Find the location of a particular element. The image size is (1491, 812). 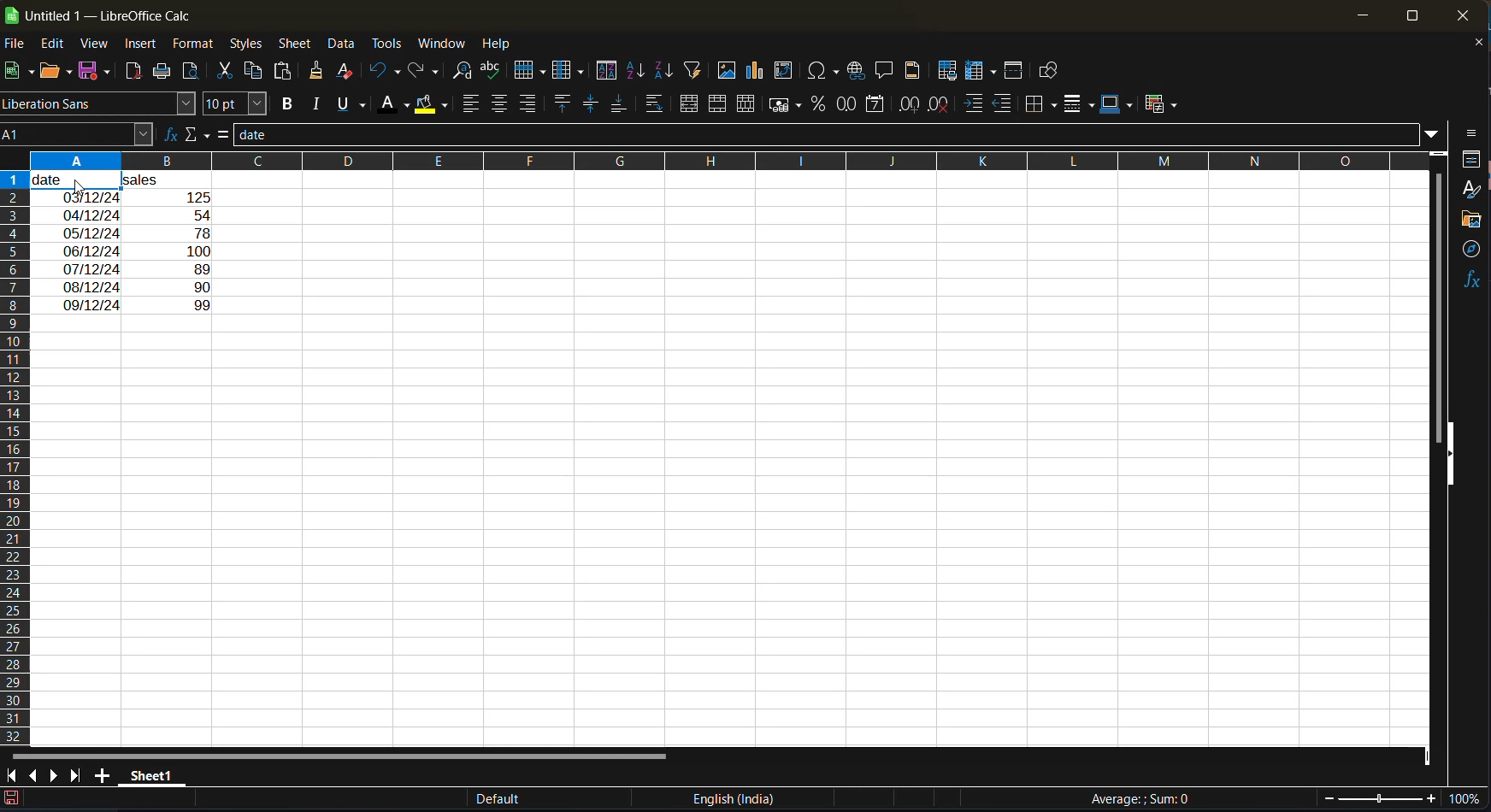

row is located at coordinates (531, 73).